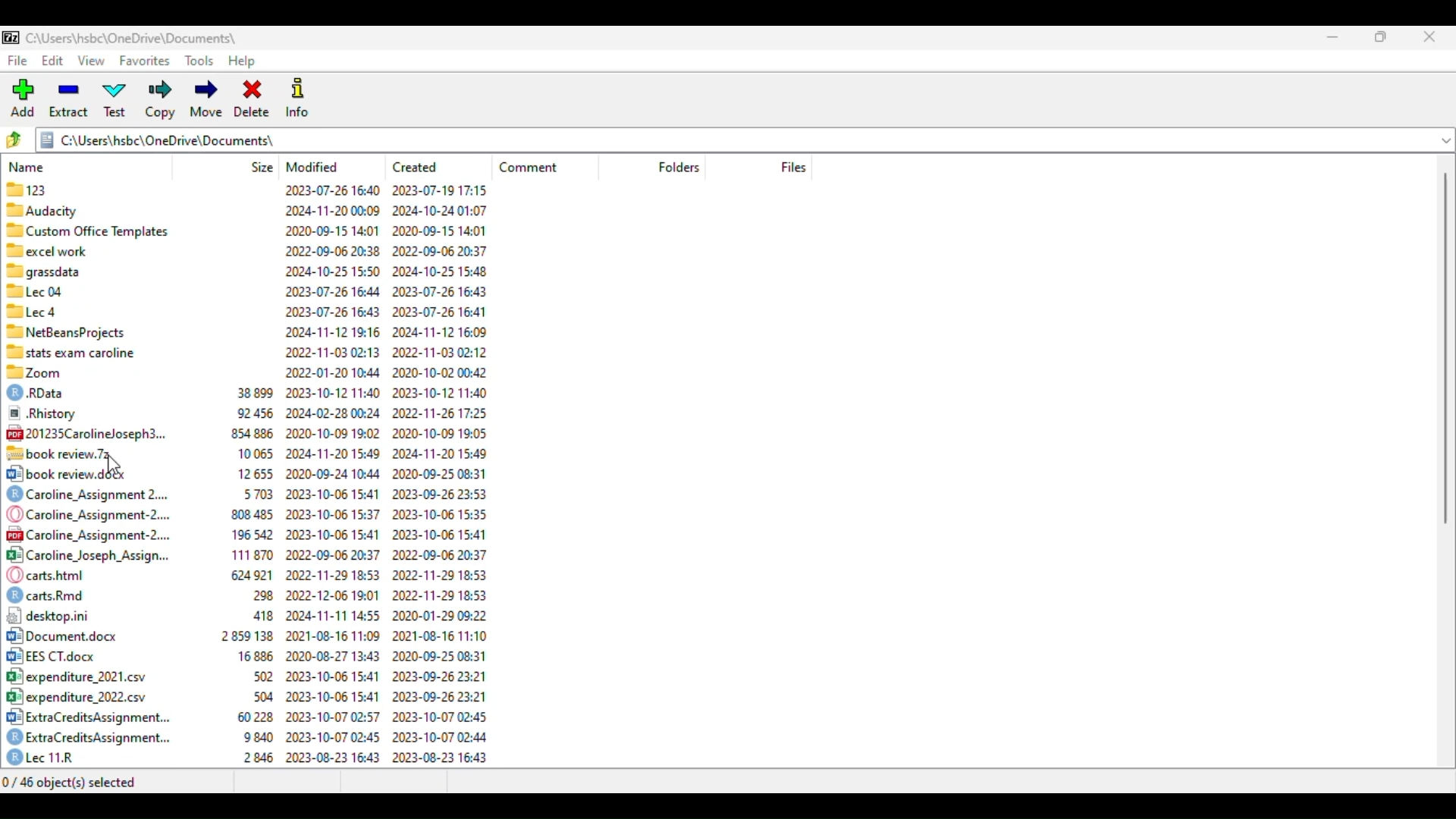 Image resolution: width=1456 pixels, height=819 pixels. Describe the element at coordinates (312, 166) in the screenshot. I see `modified` at that location.